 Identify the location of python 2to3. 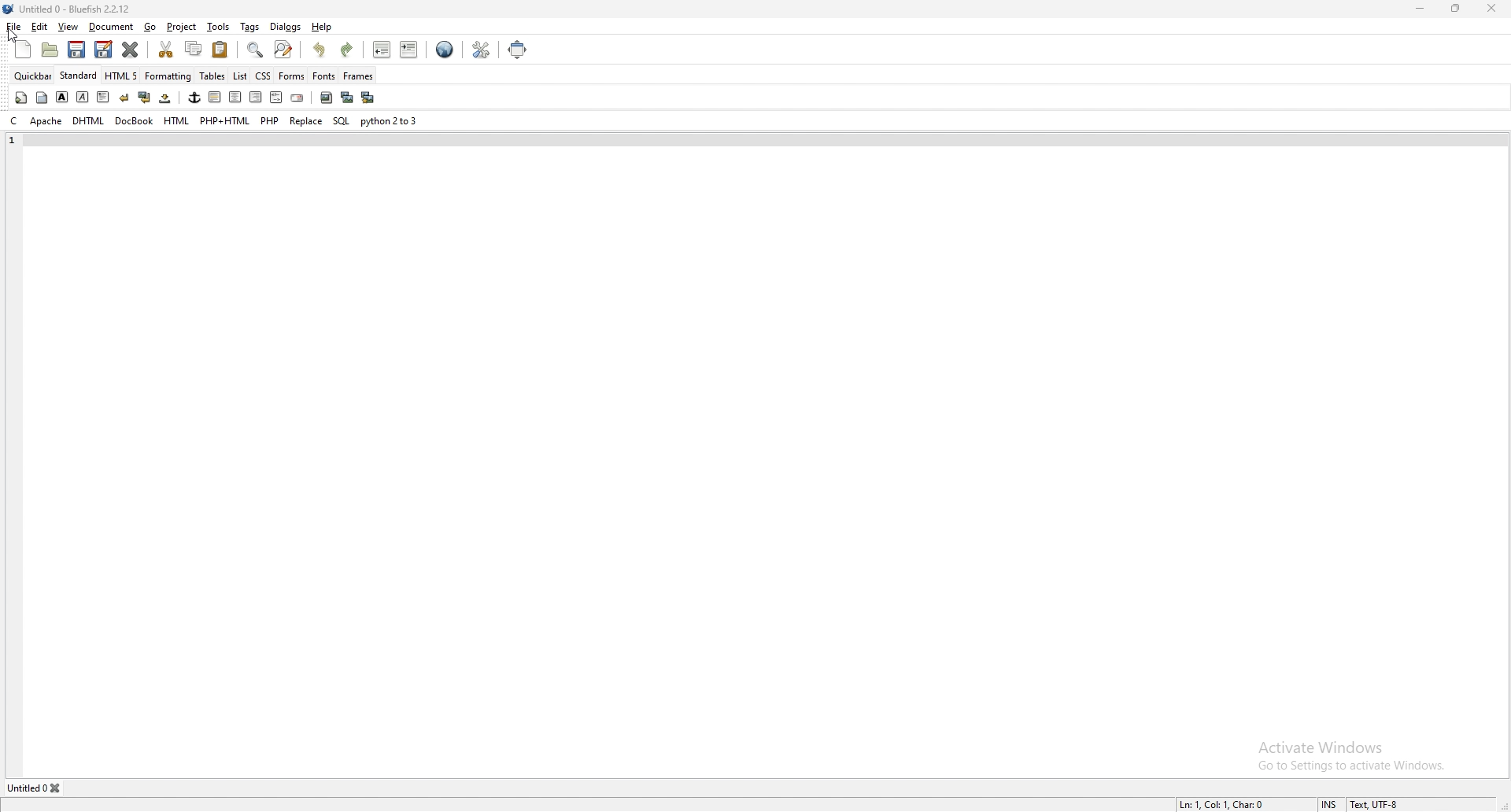
(390, 120).